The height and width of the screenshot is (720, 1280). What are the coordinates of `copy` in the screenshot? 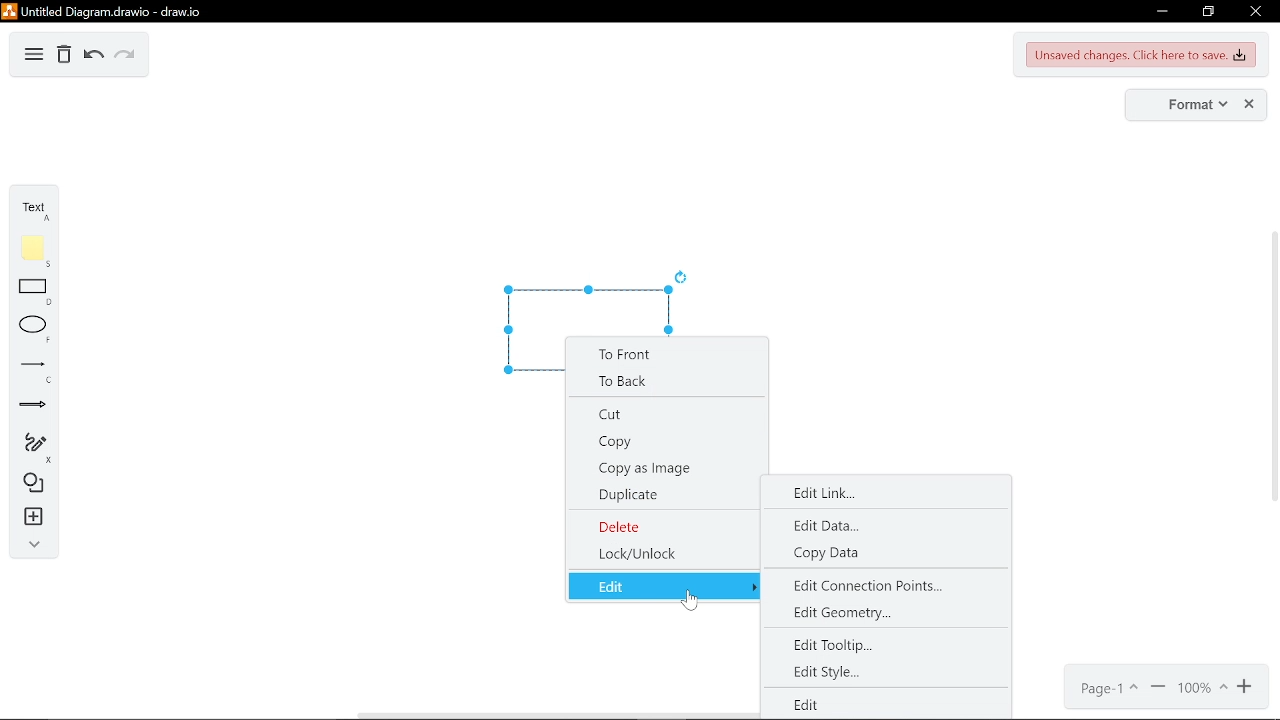 It's located at (662, 442).